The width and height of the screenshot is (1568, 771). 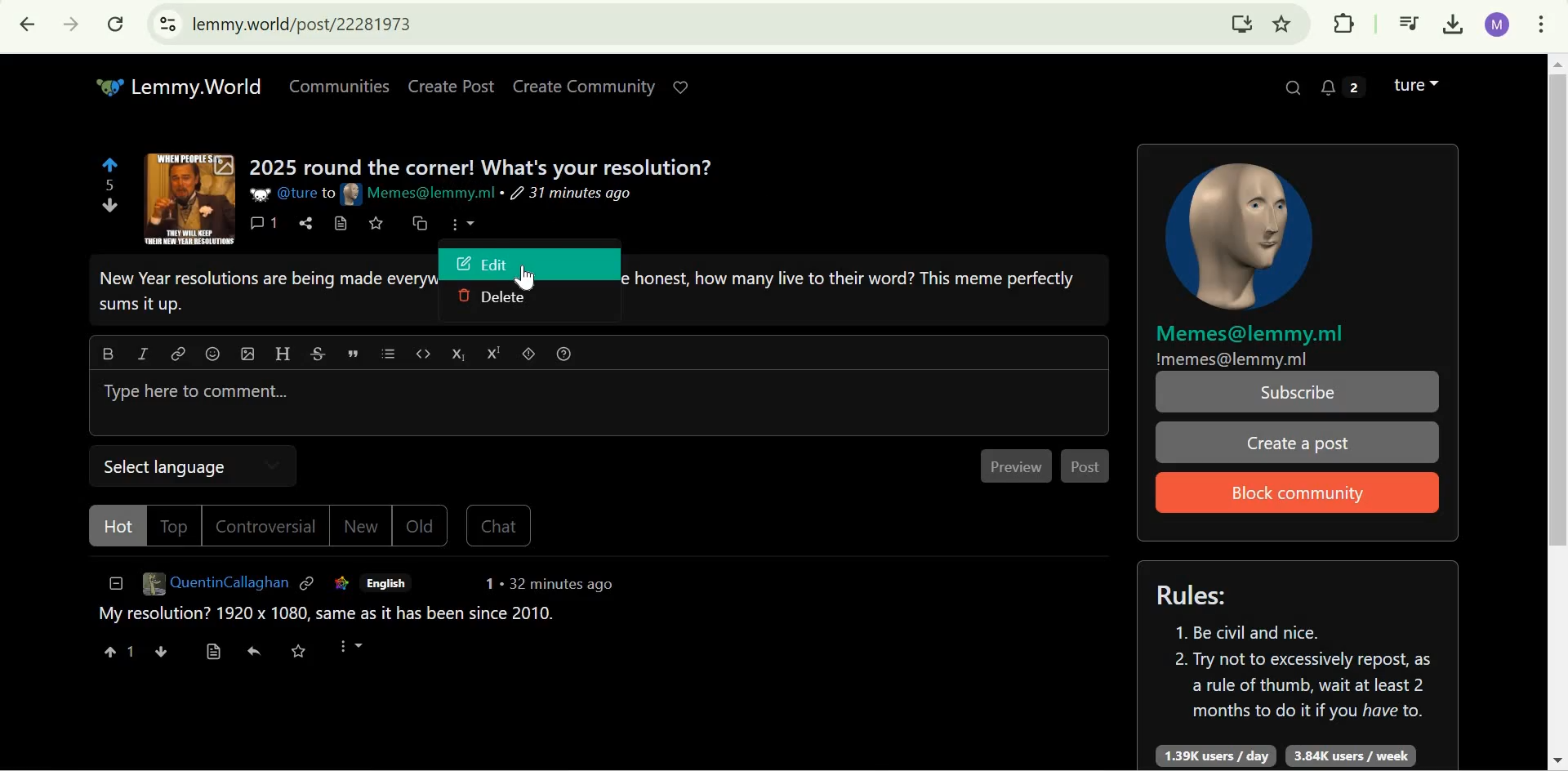 I want to click on , so click(x=853, y=292).